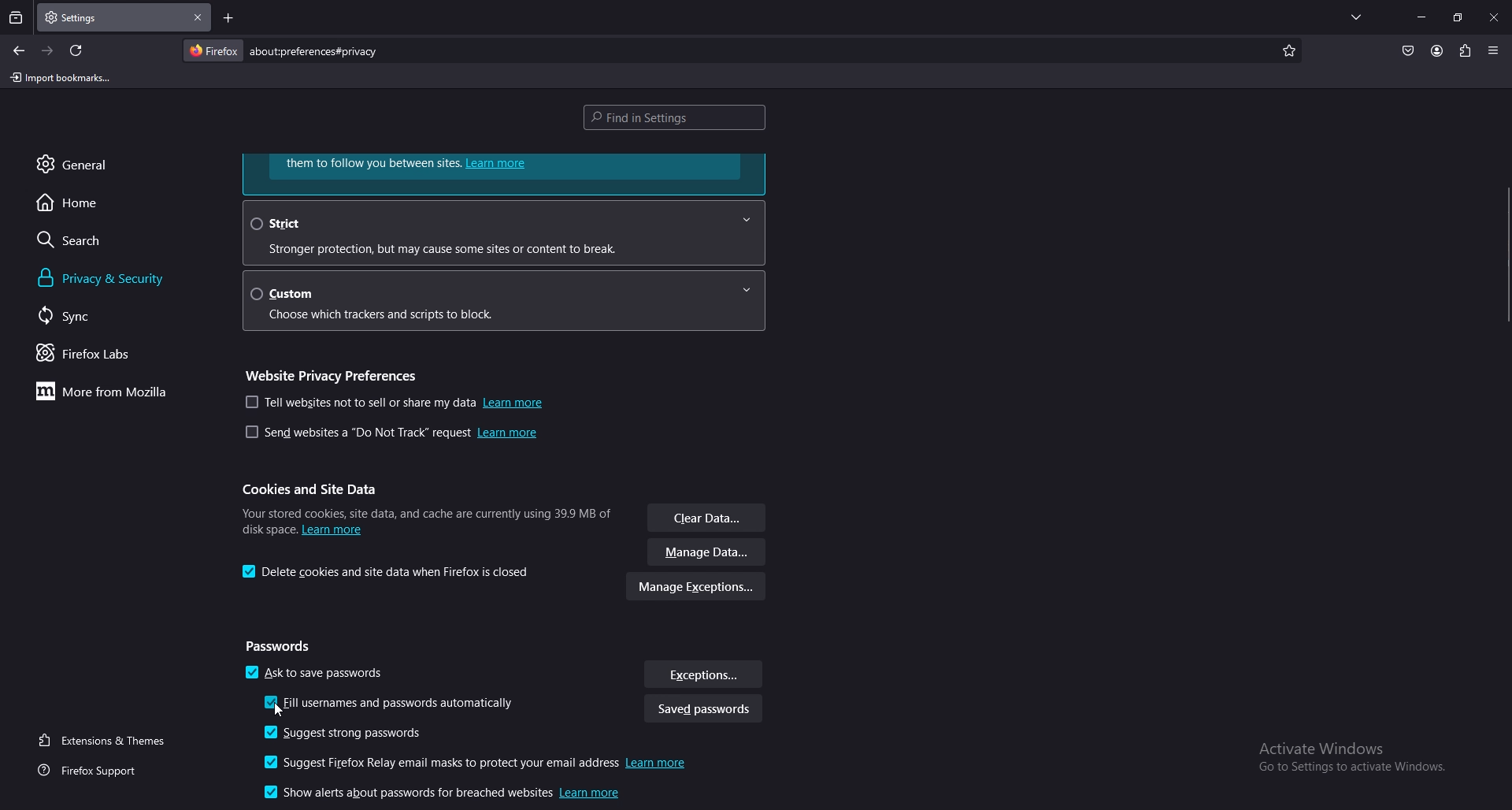 This screenshot has width=1512, height=810. Describe the element at coordinates (16, 19) in the screenshot. I see `recent browsing` at that location.